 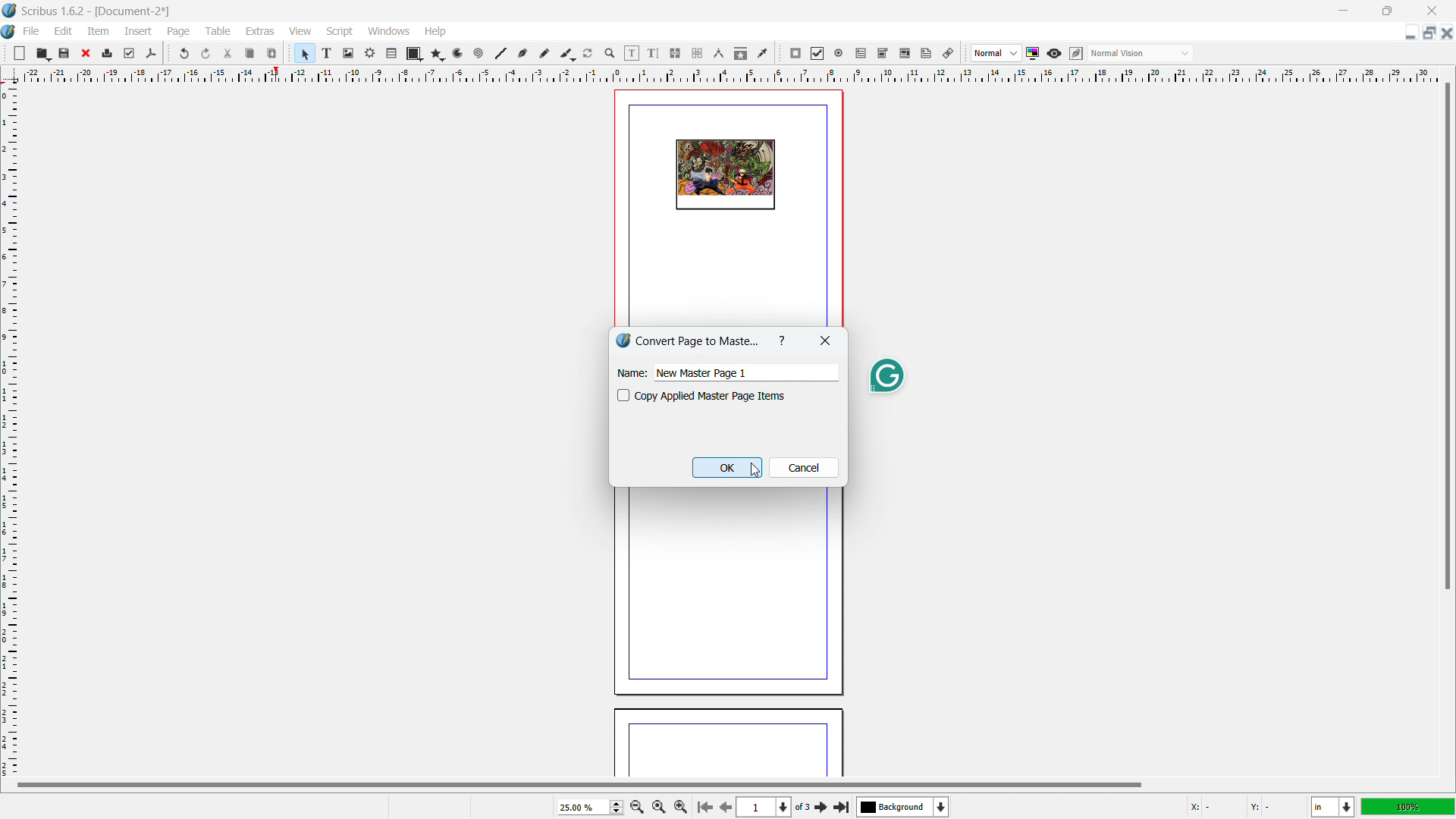 What do you see at coordinates (438, 54) in the screenshot?
I see `polygon` at bounding box center [438, 54].